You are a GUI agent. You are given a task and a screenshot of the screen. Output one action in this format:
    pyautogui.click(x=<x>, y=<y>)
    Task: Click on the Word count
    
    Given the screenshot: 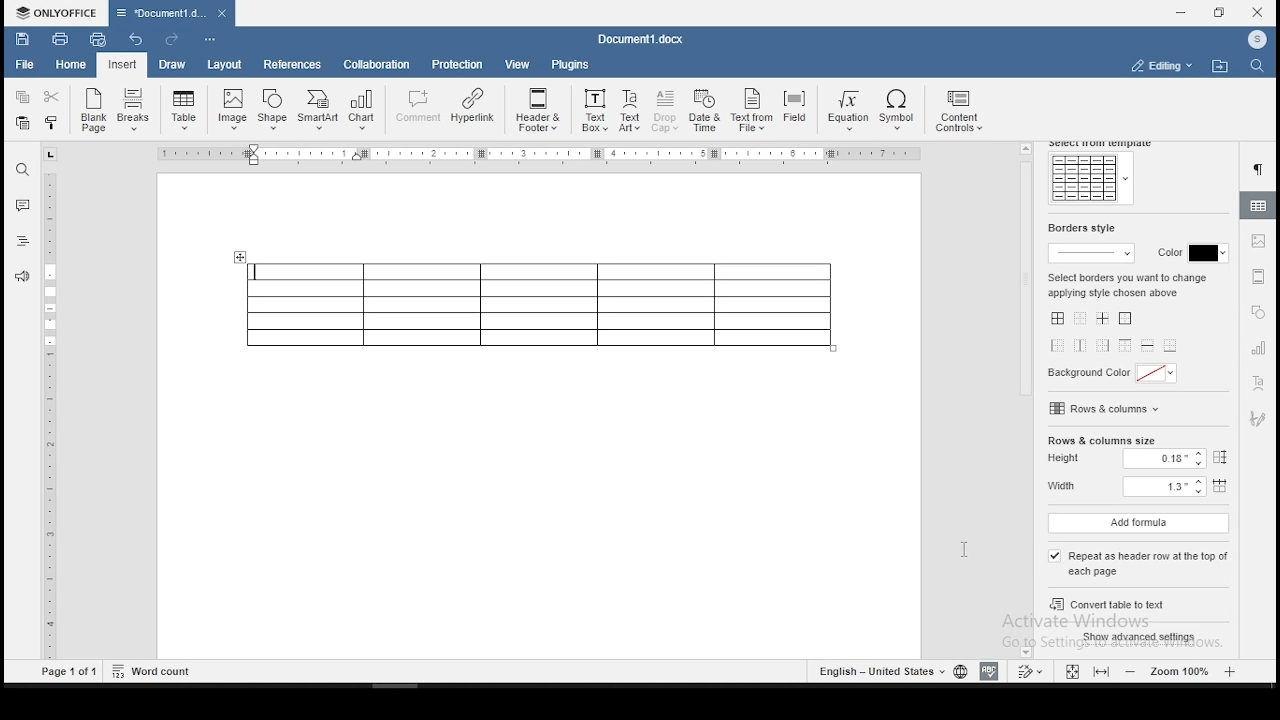 What is the action you would take?
    pyautogui.click(x=152, y=671)
    